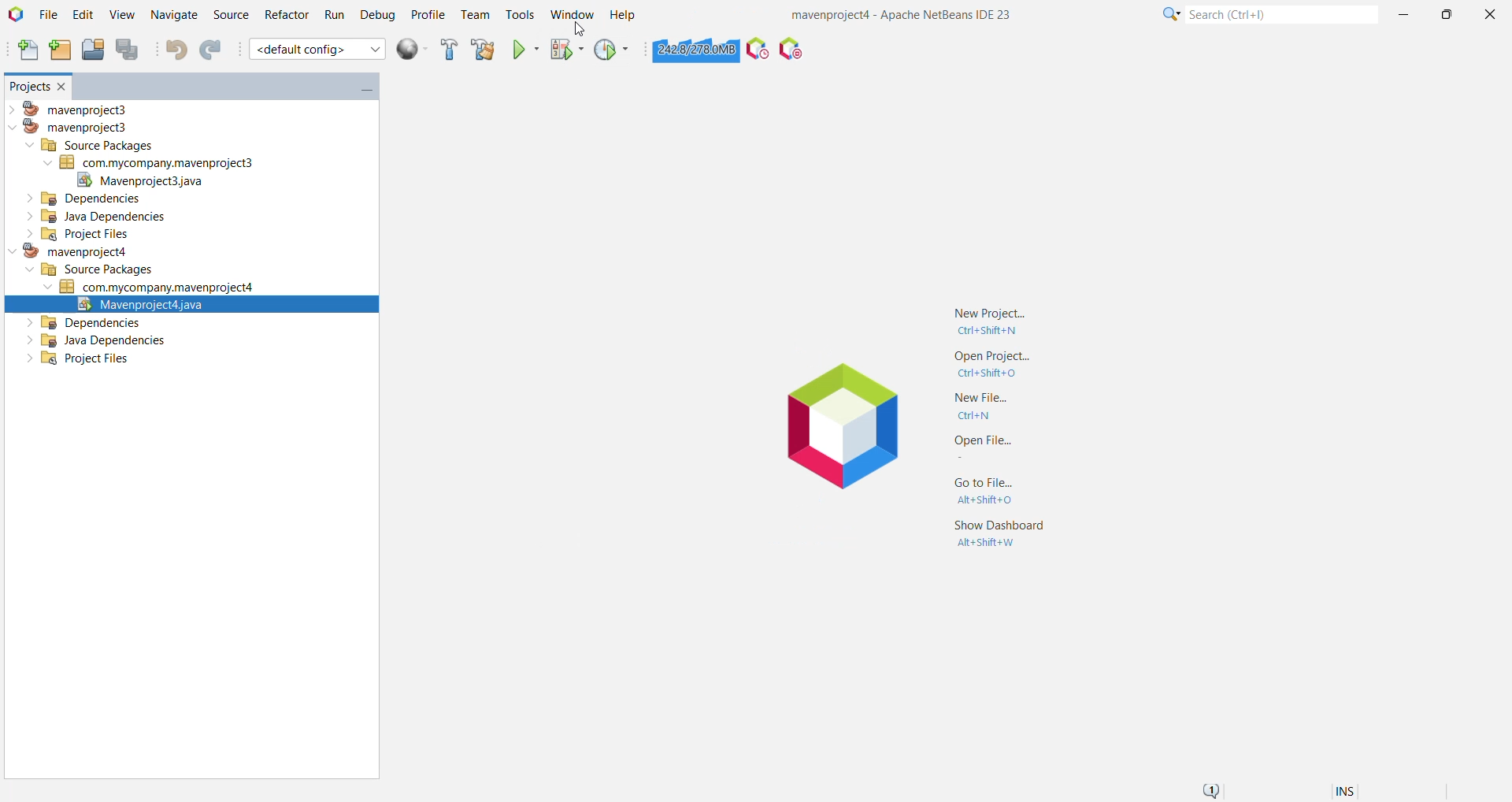 This screenshot has width=1512, height=802. What do you see at coordinates (333, 16) in the screenshot?
I see `Run` at bounding box center [333, 16].